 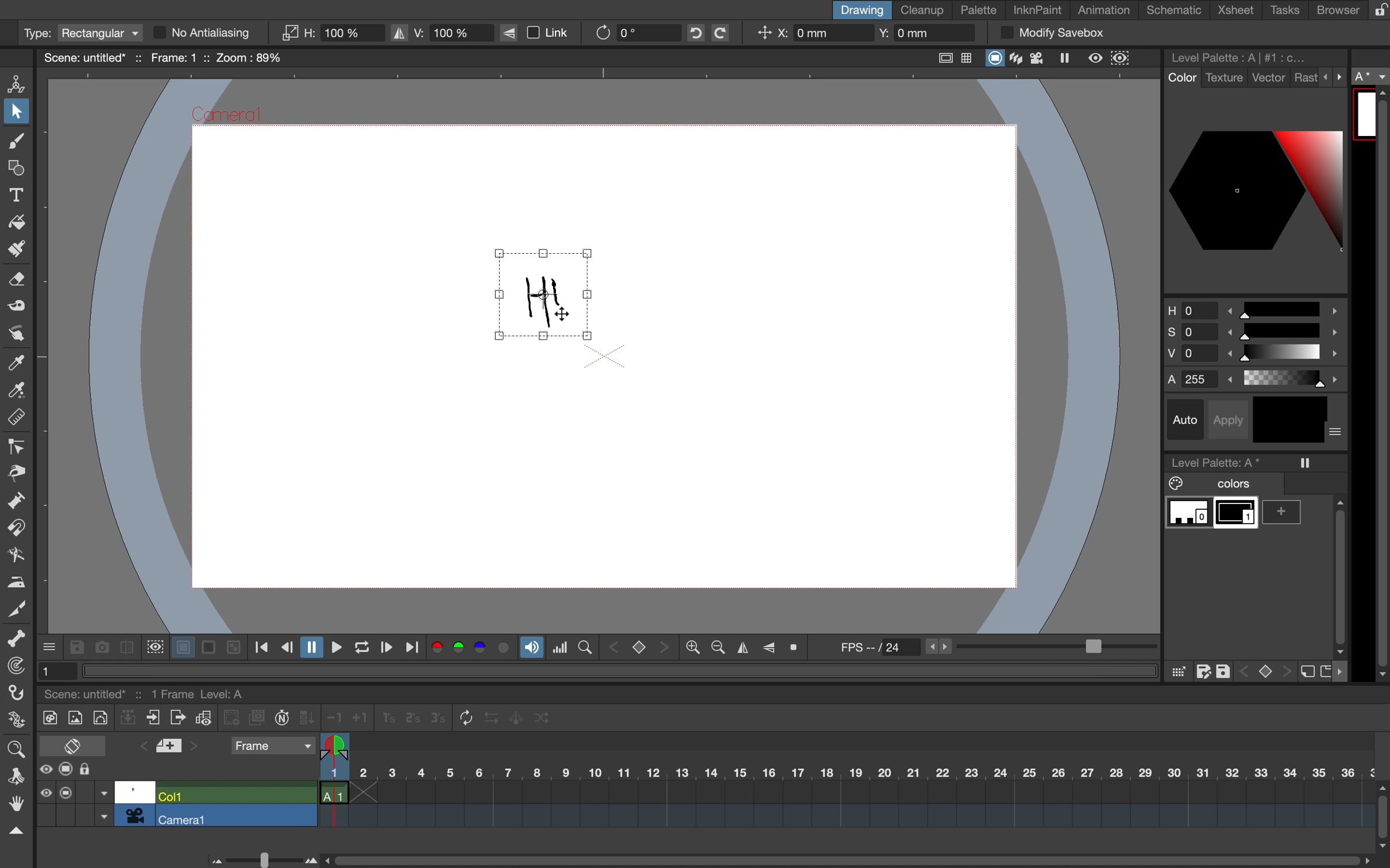 I want to click on time line bar scale, so click(x=259, y=858).